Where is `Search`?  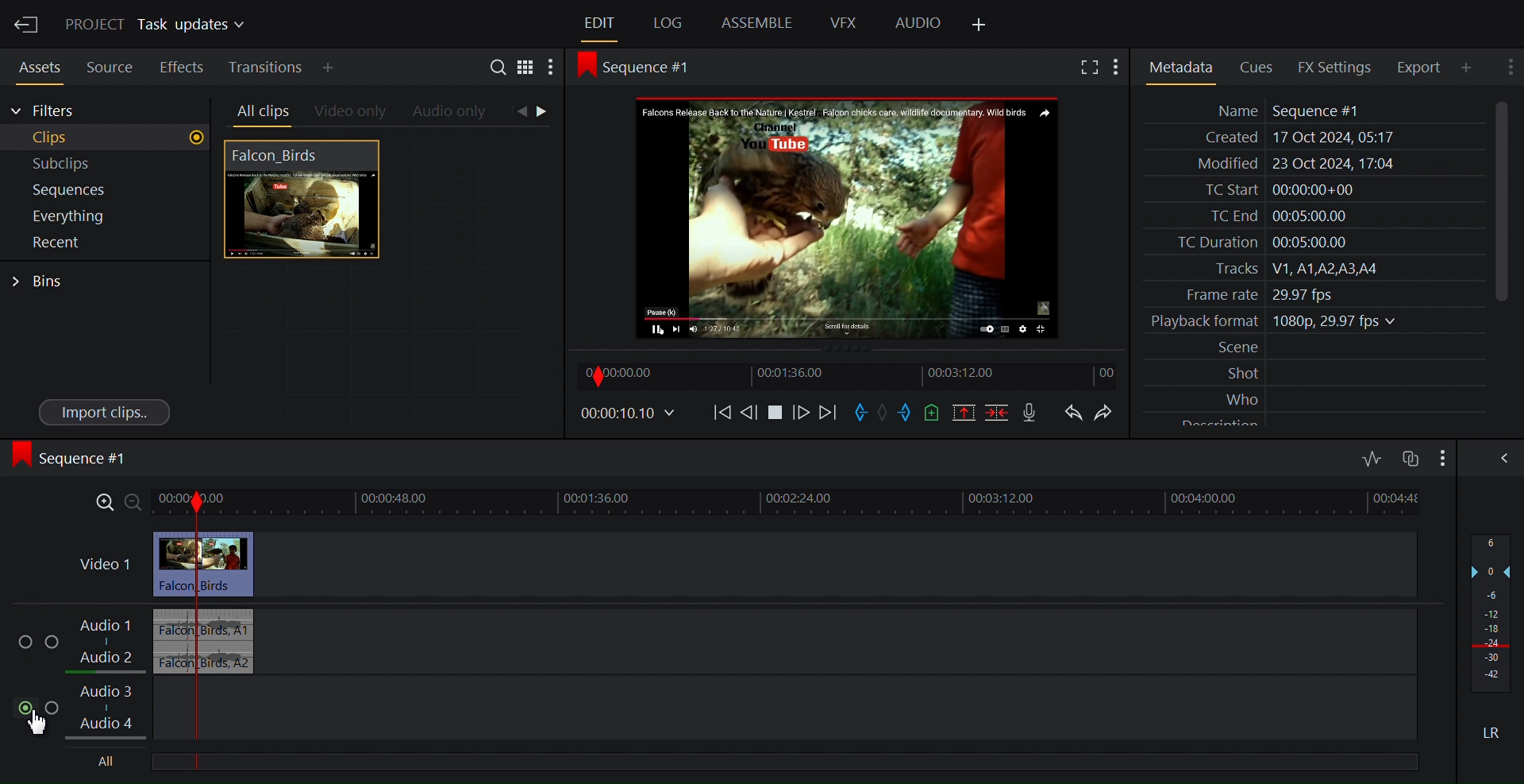
Search is located at coordinates (501, 69).